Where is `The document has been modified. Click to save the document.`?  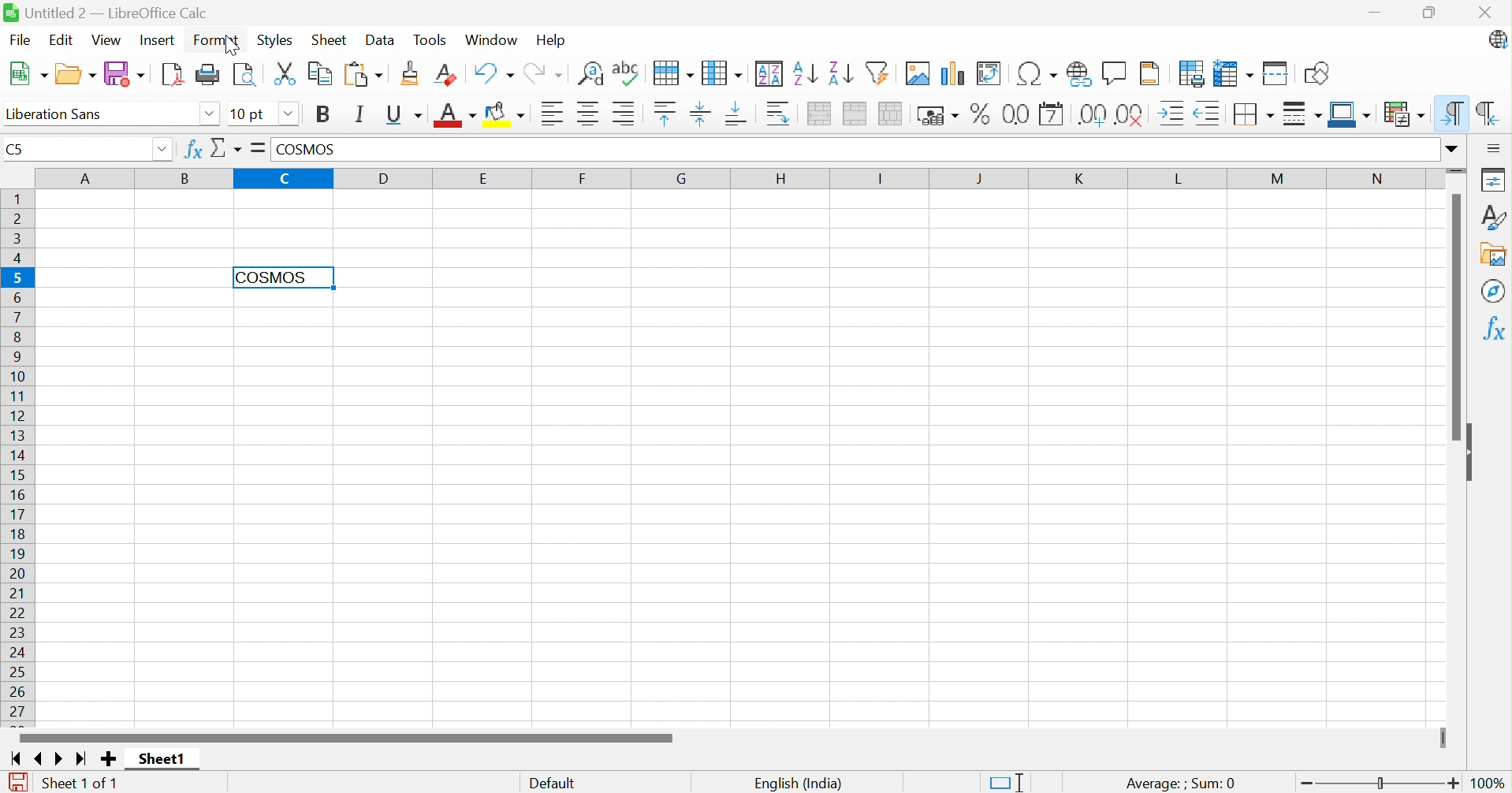
The document has been modified. Click to save the document. is located at coordinates (14, 782).